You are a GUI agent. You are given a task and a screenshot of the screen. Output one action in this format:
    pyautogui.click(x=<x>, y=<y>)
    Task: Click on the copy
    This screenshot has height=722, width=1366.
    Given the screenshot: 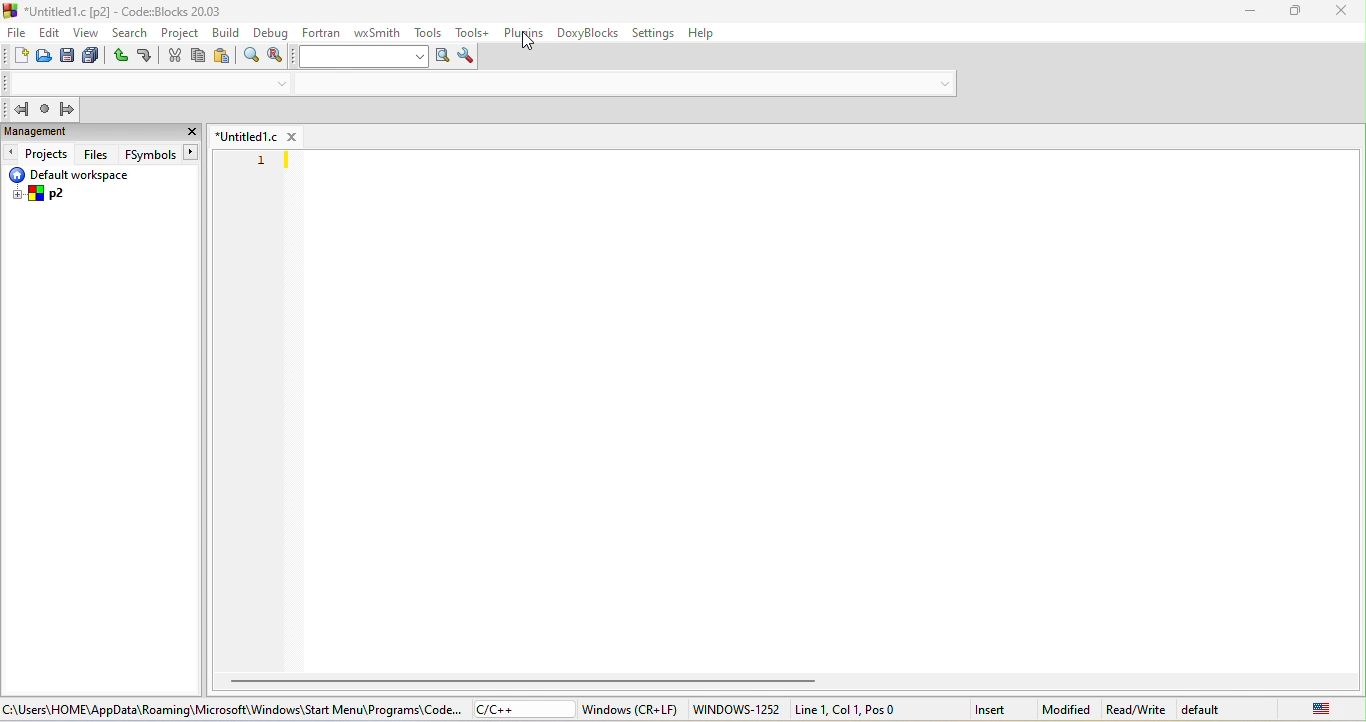 What is the action you would take?
    pyautogui.click(x=200, y=57)
    